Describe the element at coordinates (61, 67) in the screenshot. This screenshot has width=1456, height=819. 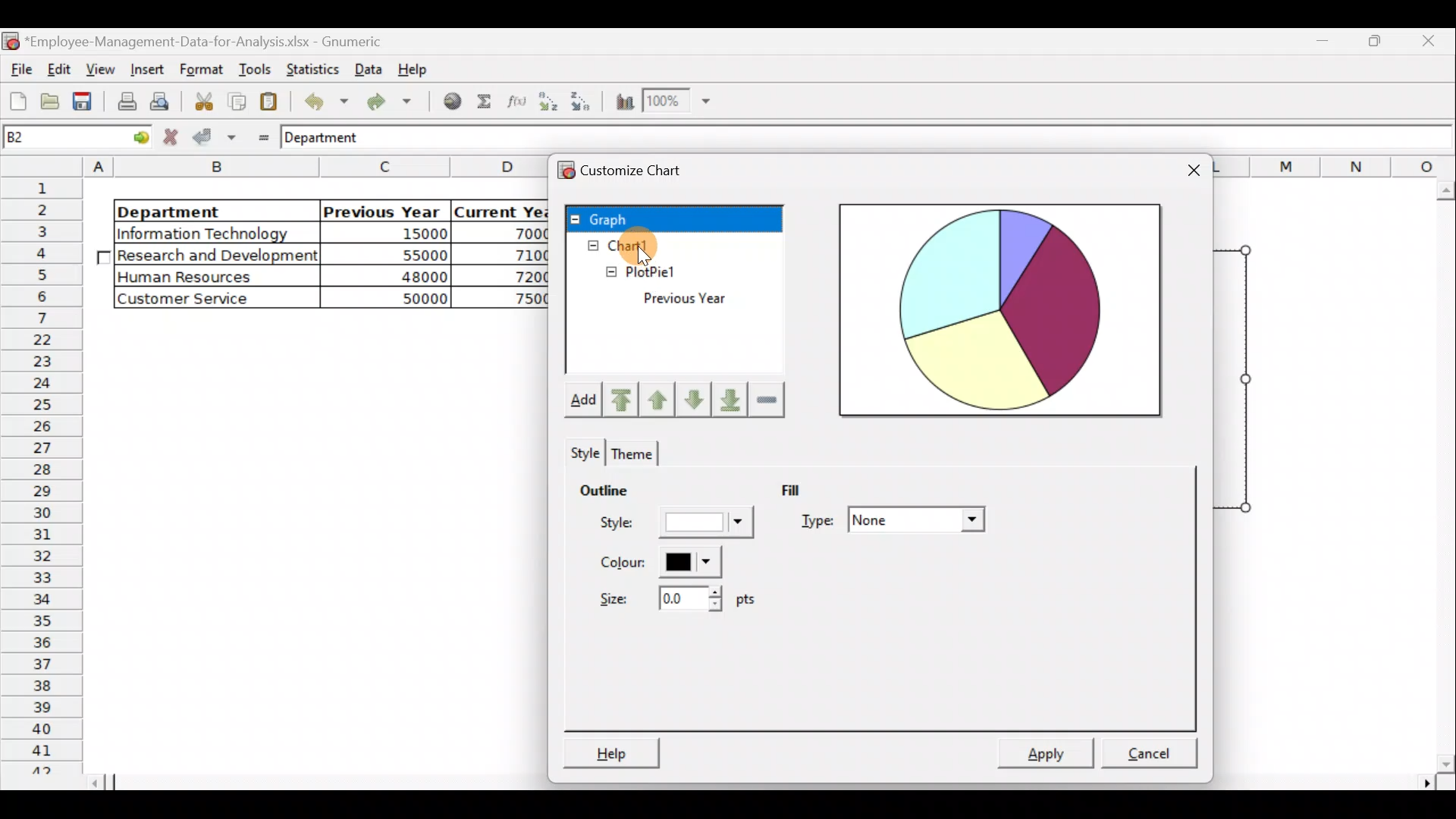
I see `Edit` at that location.